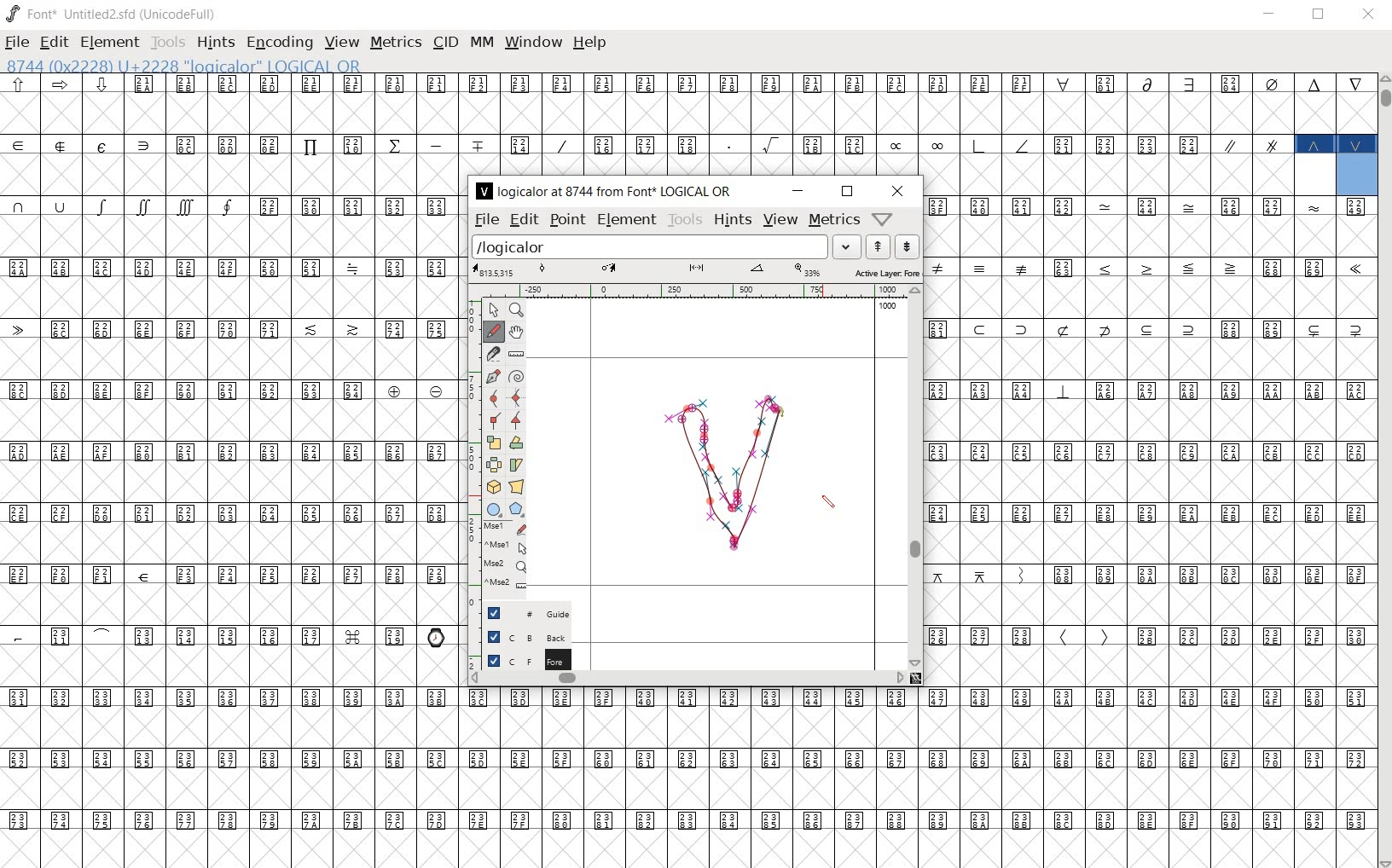 The image size is (1392, 868). I want to click on edit, so click(524, 221).